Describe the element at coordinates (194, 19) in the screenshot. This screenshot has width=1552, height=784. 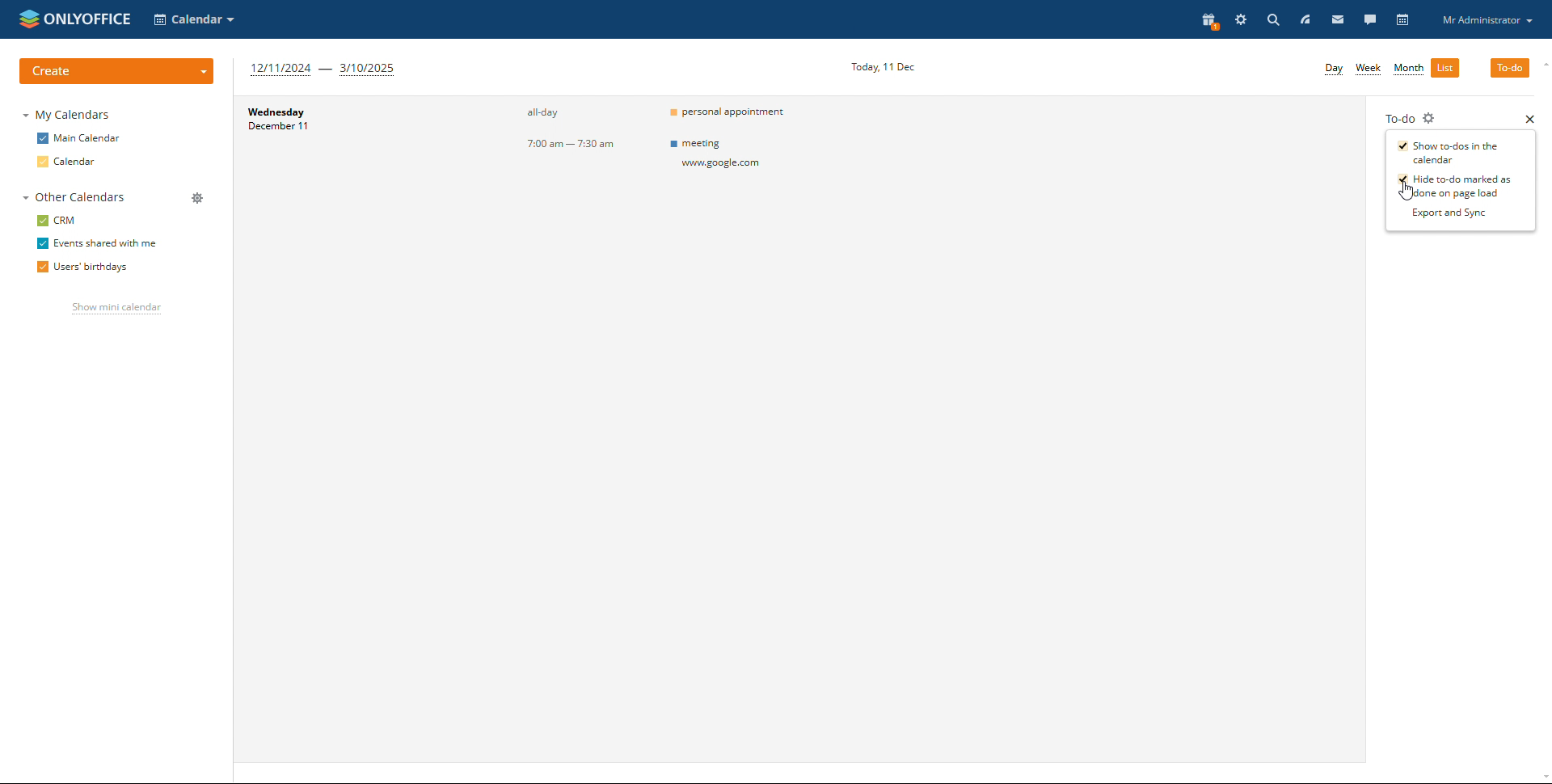
I see `select application` at that location.